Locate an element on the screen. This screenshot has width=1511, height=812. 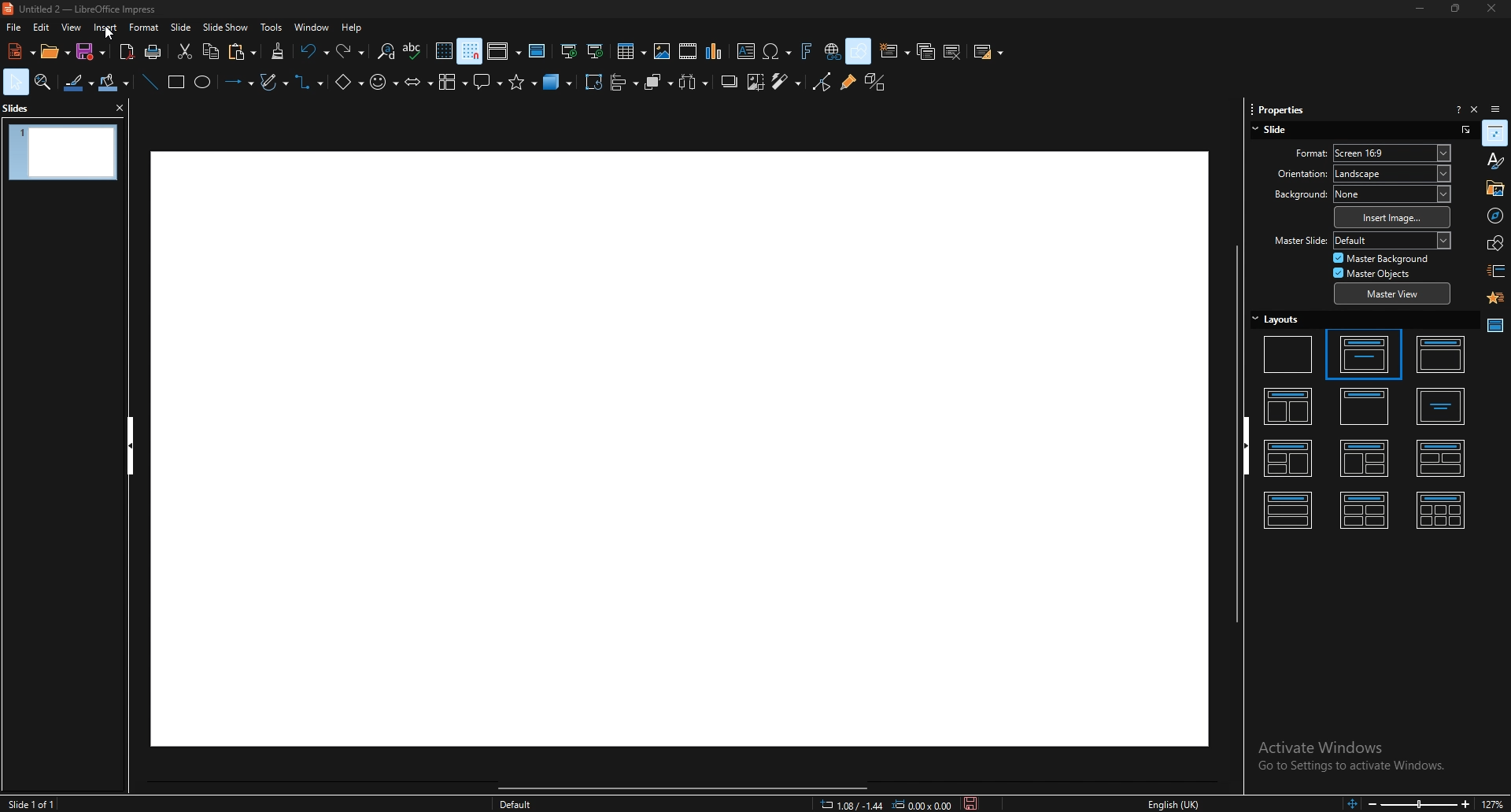
master slides is located at coordinates (1494, 326).